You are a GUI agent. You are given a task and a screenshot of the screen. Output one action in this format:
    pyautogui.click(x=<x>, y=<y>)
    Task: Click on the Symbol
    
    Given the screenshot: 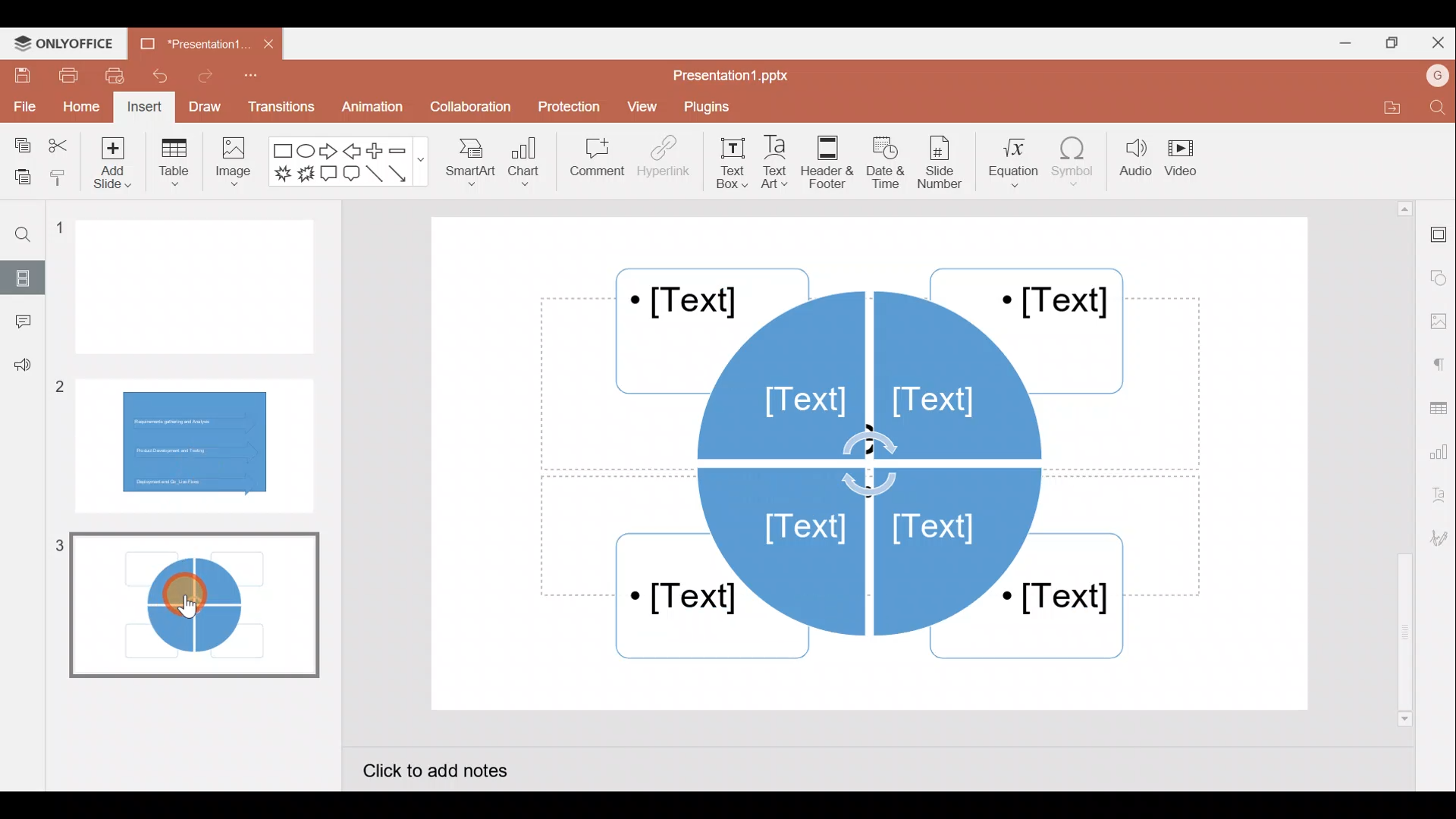 What is the action you would take?
    pyautogui.click(x=1074, y=165)
    